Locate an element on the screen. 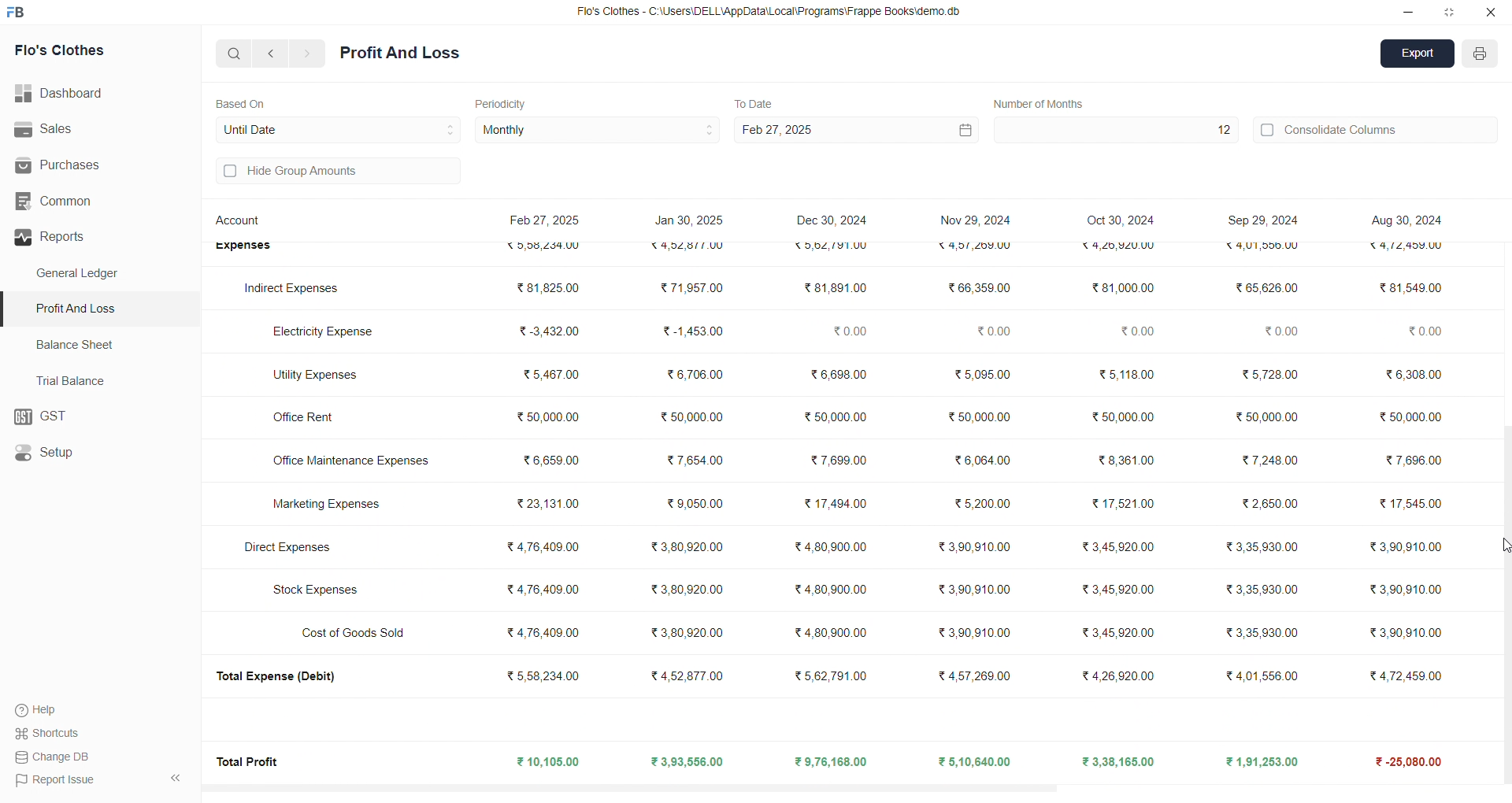  Monthly is located at coordinates (598, 131).